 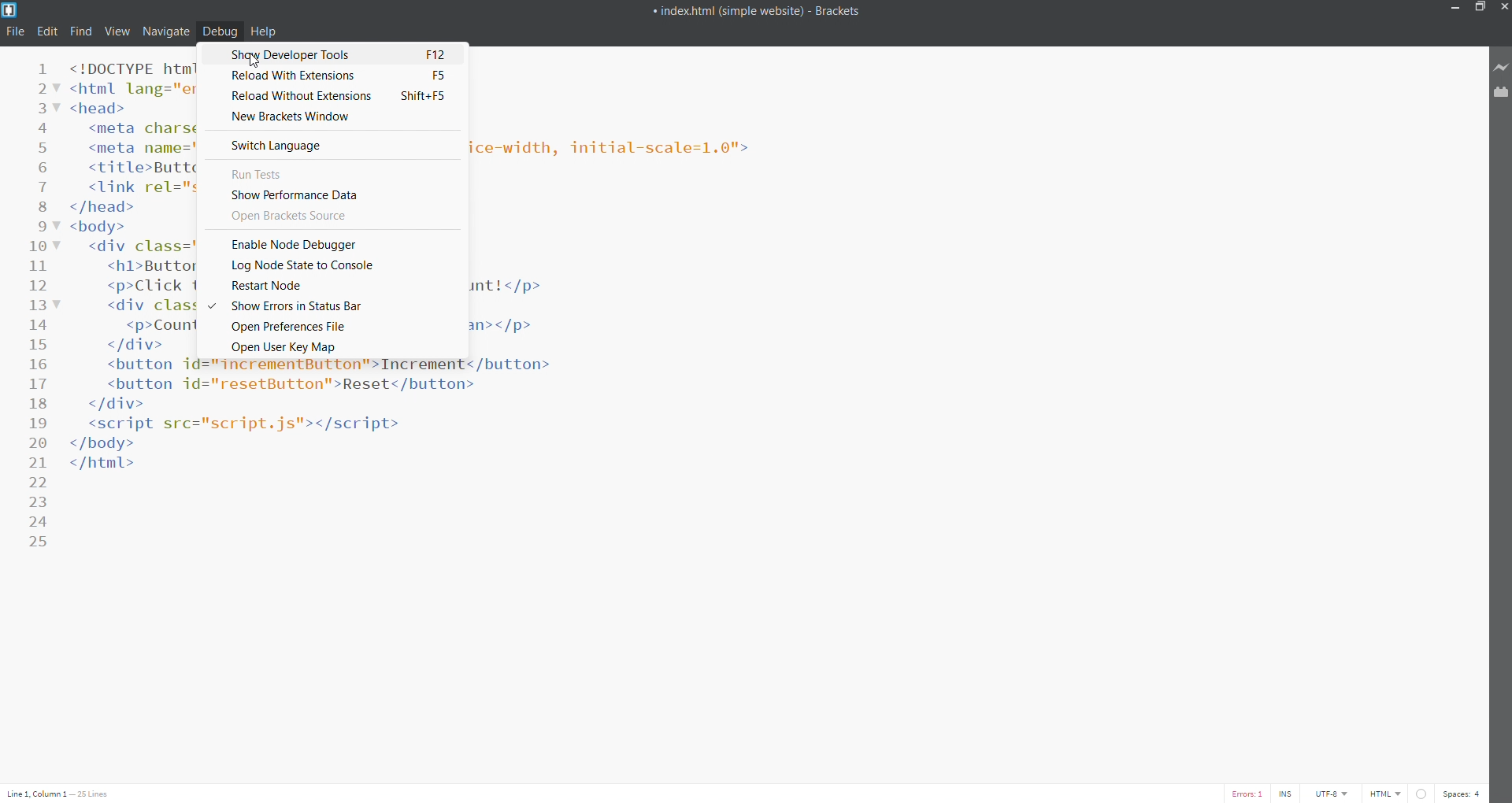 What do you see at coordinates (330, 117) in the screenshot?
I see `new brackets window` at bounding box center [330, 117].